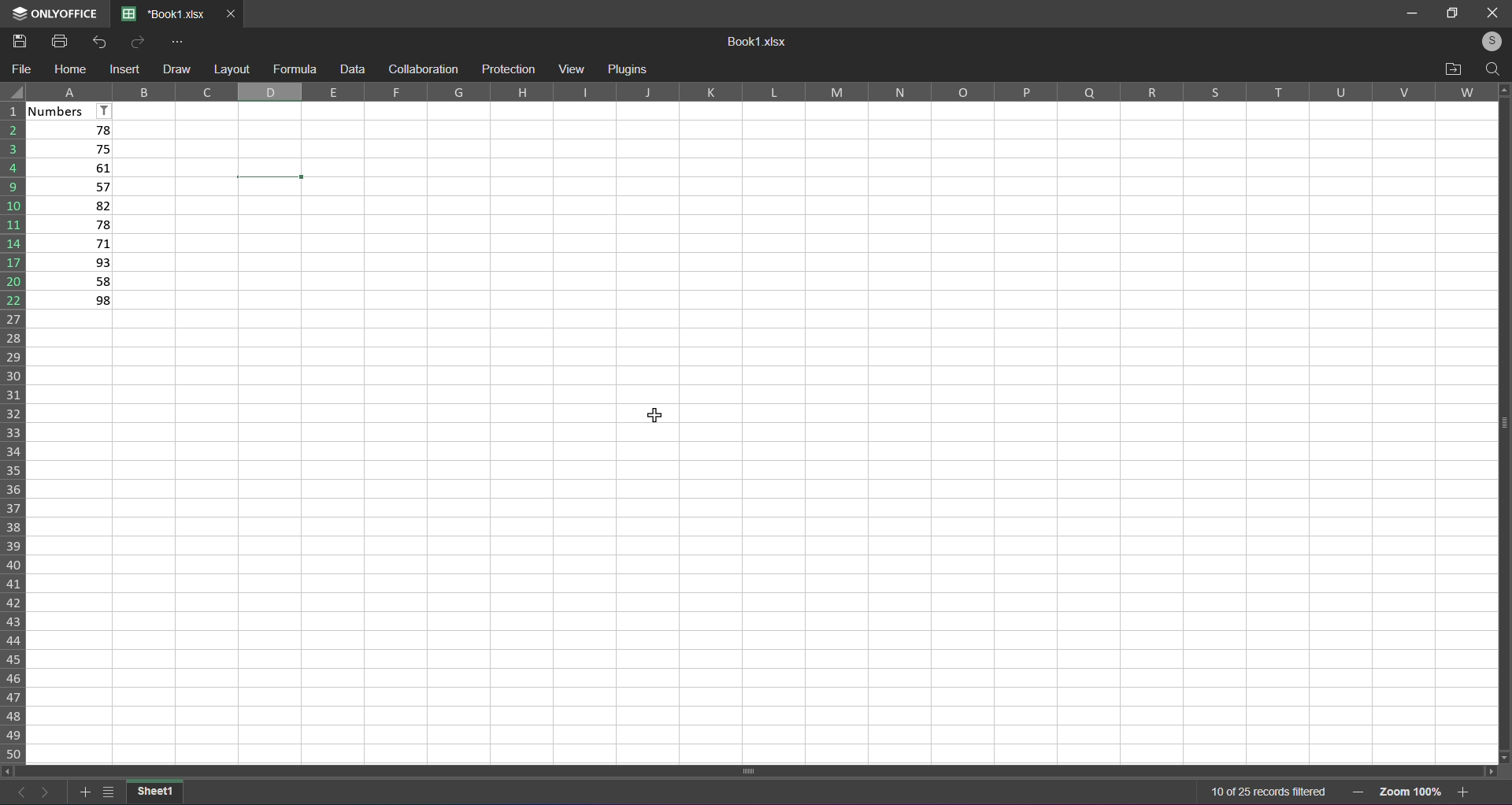 The image size is (1512, 805). Describe the element at coordinates (108, 790) in the screenshot. I see `List of sheet` at that location.